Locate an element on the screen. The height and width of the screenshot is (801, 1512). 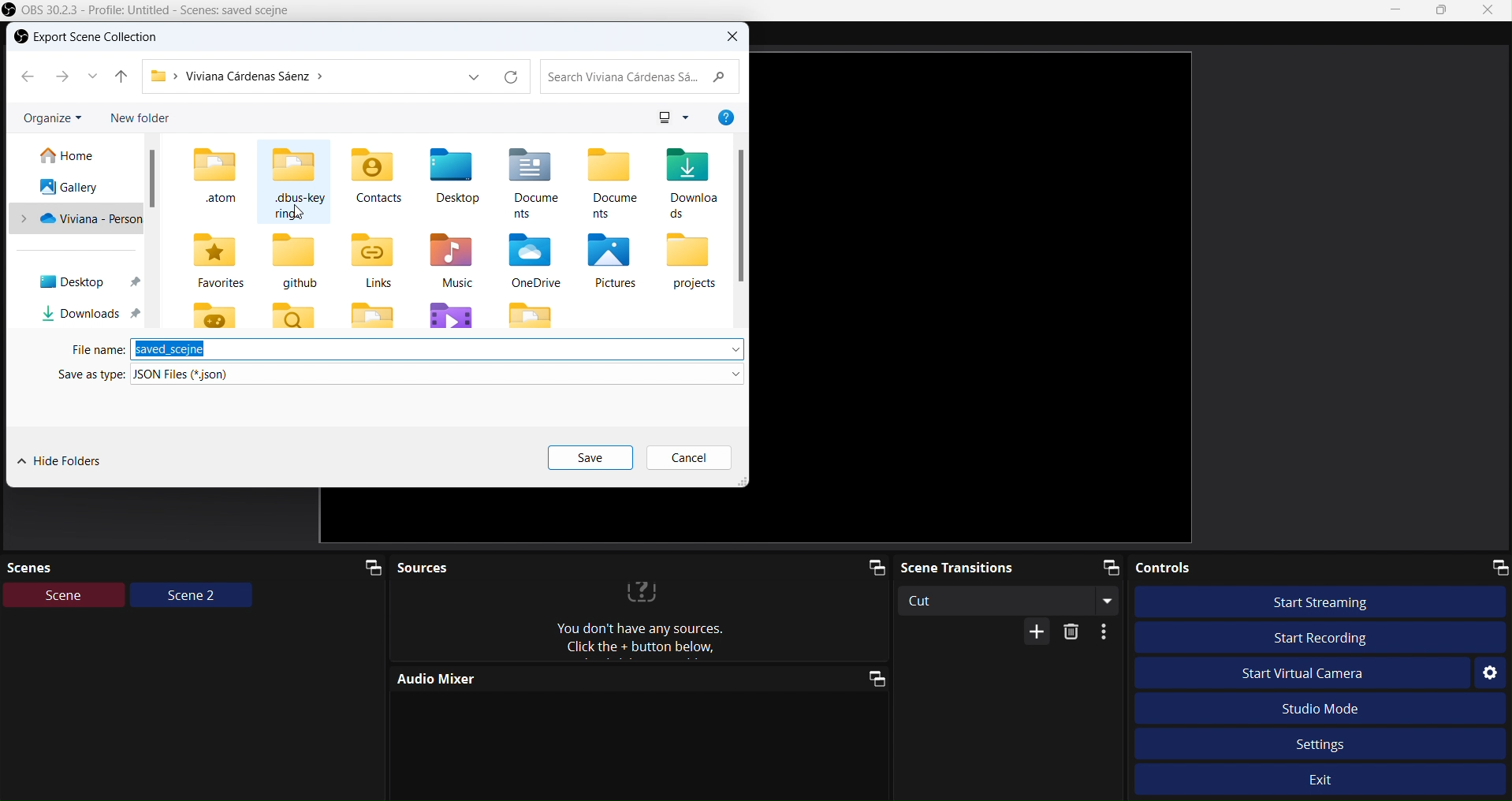
projects is located at coordinates (691, 262).